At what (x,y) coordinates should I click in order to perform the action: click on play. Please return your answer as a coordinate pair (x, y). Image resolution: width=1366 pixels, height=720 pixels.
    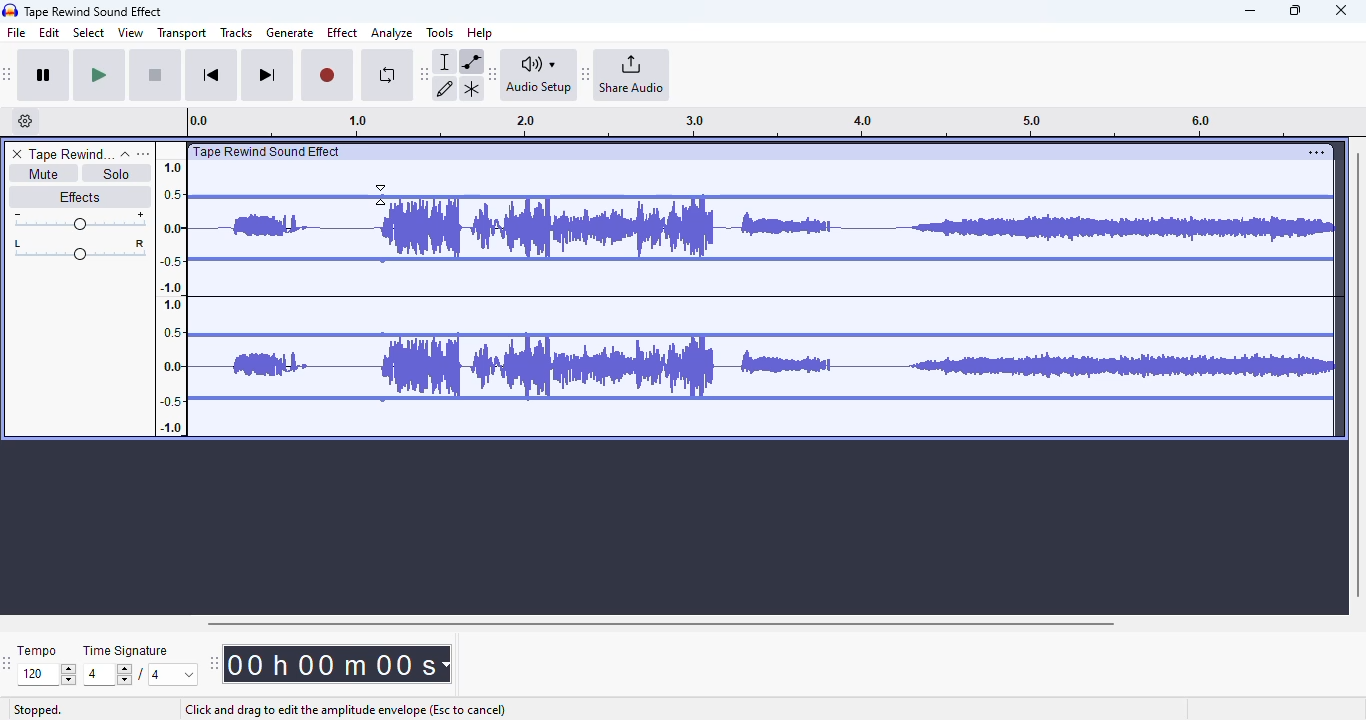
    Looking at the image, I should click on (99, 76).